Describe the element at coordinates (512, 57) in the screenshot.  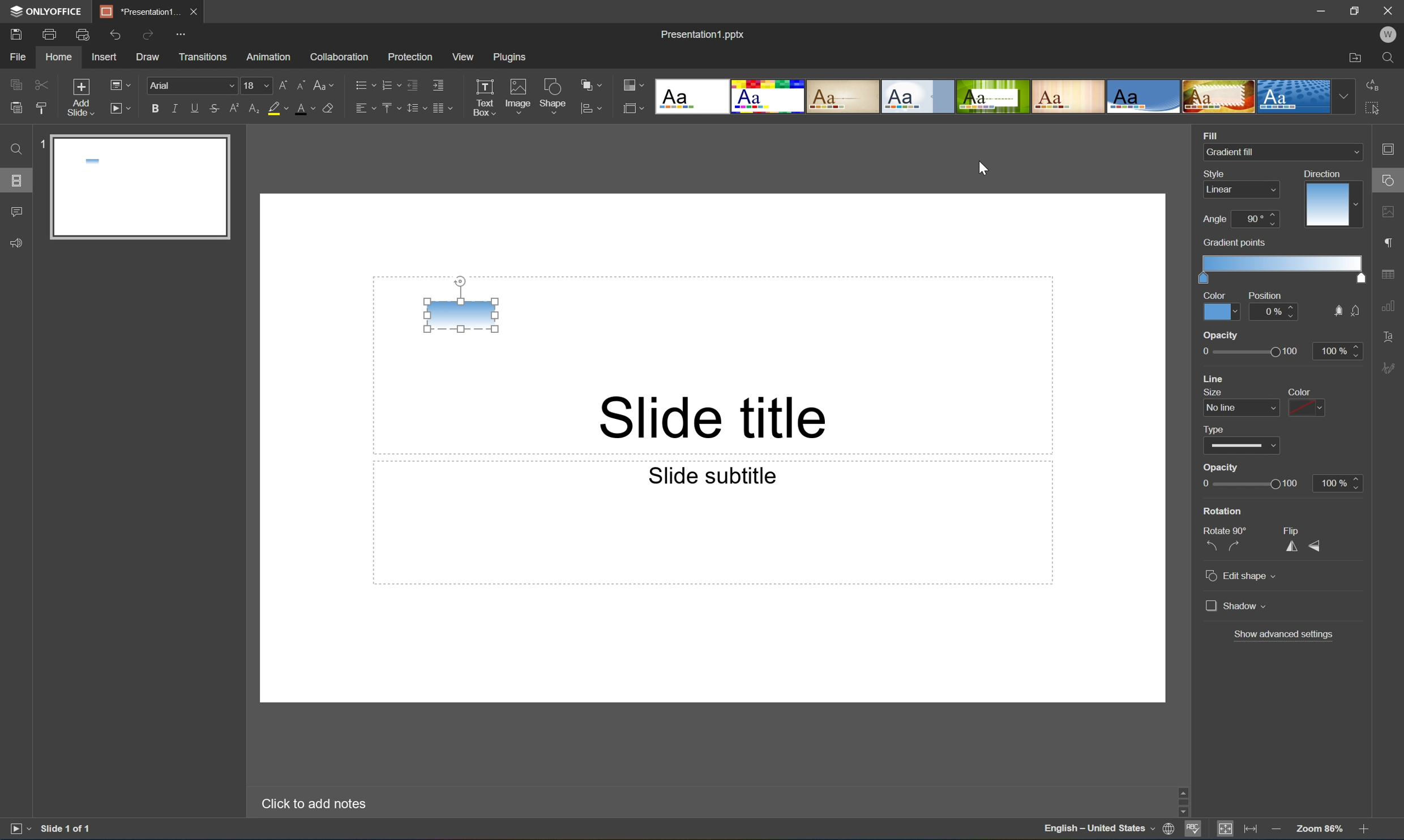
I see `Plugins` at that location.